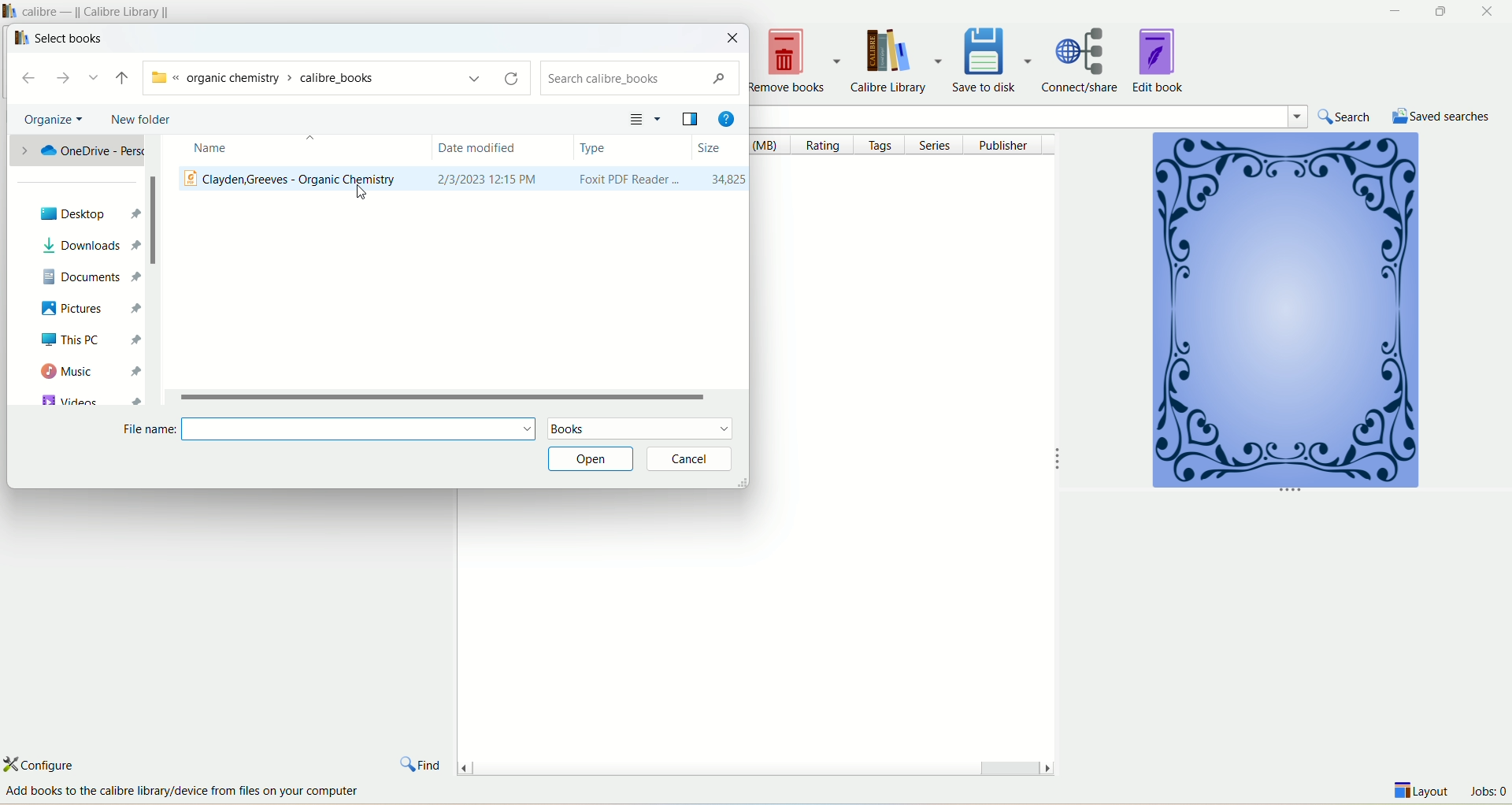 The height and width of the screenshot is (805, 1512). I want to click on view, so click(644, 117).